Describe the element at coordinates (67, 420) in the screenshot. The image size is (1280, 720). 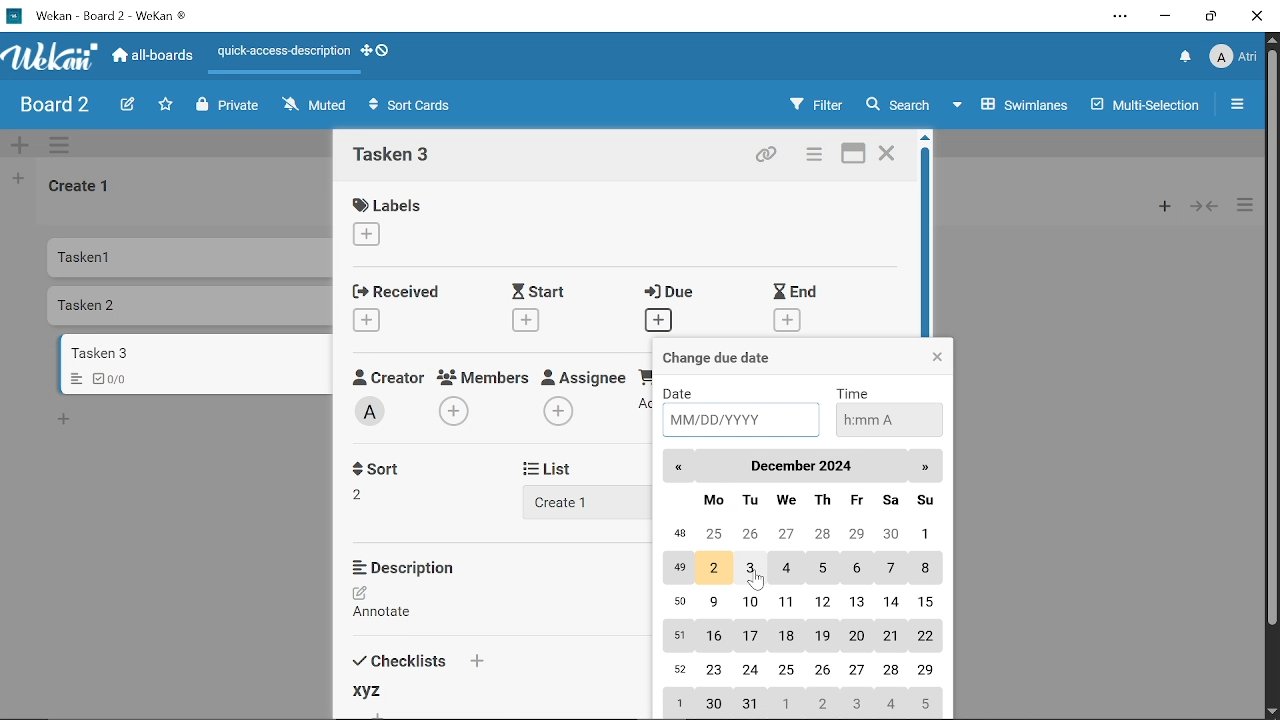
I see `Add card bottom to the list` at that location.